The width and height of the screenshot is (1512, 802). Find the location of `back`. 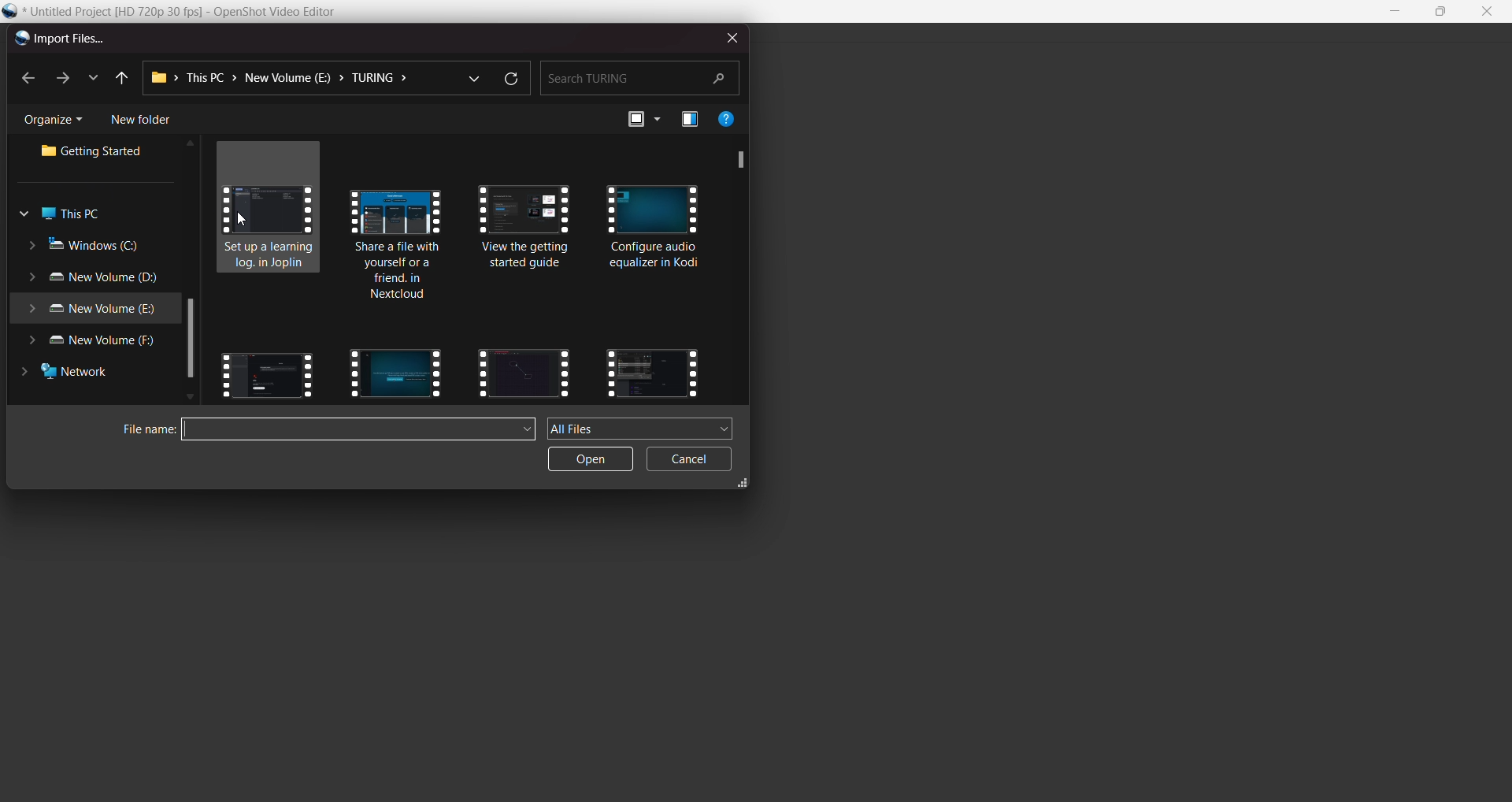

back is located at coordinates (29, 80).